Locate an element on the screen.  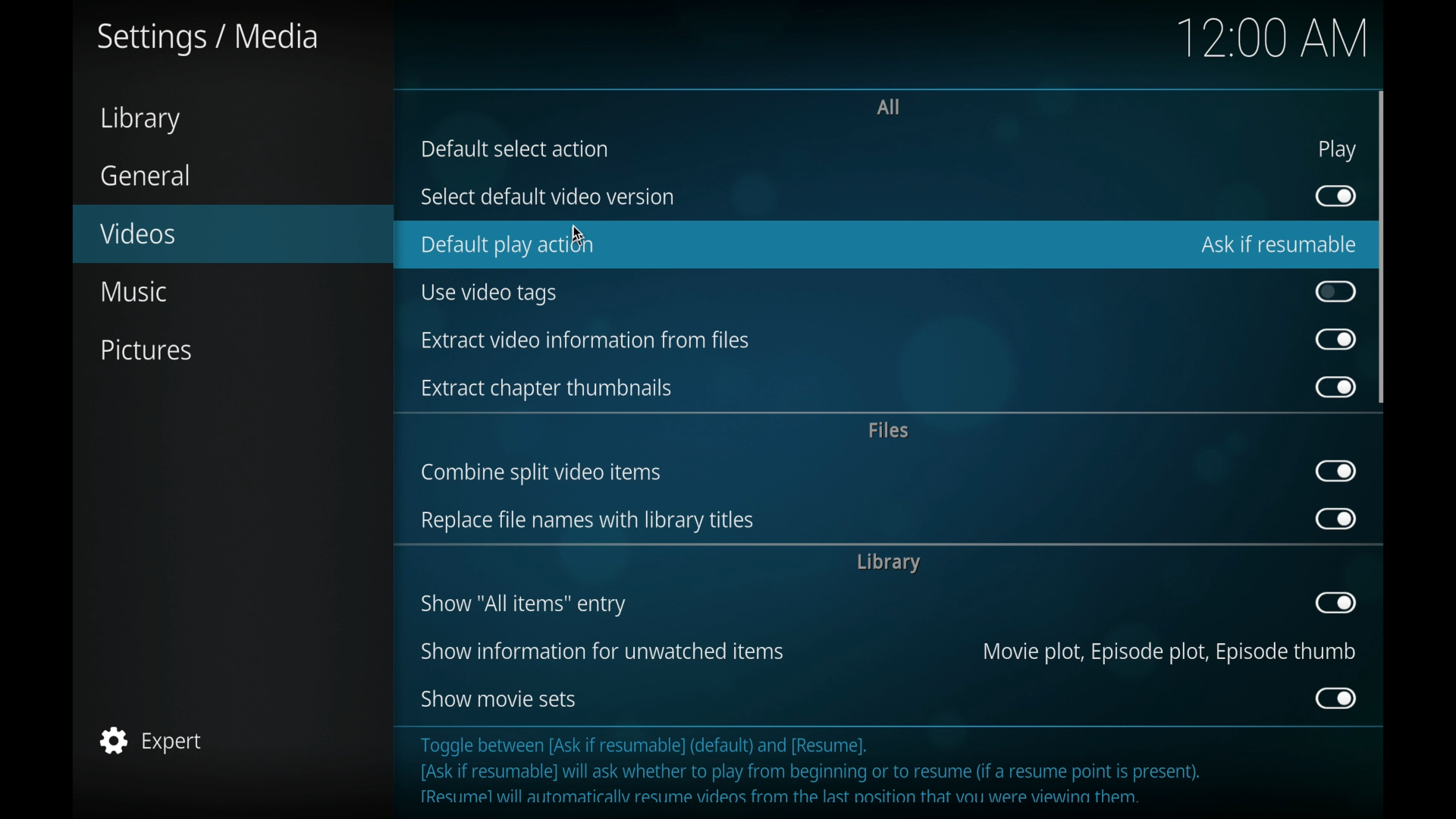
videos is located at coordinates (140, 232).